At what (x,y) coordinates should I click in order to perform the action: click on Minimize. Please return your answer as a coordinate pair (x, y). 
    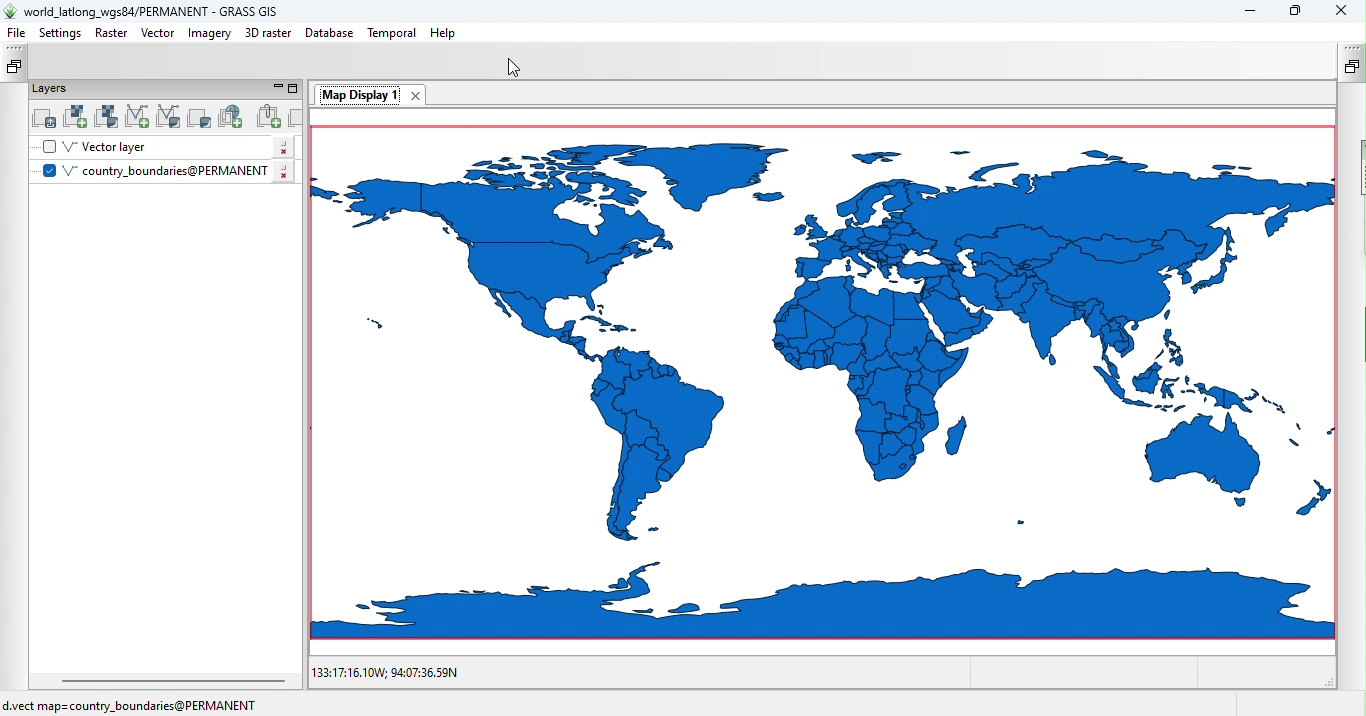
    Looking at the image, I should click on (1249, 10).